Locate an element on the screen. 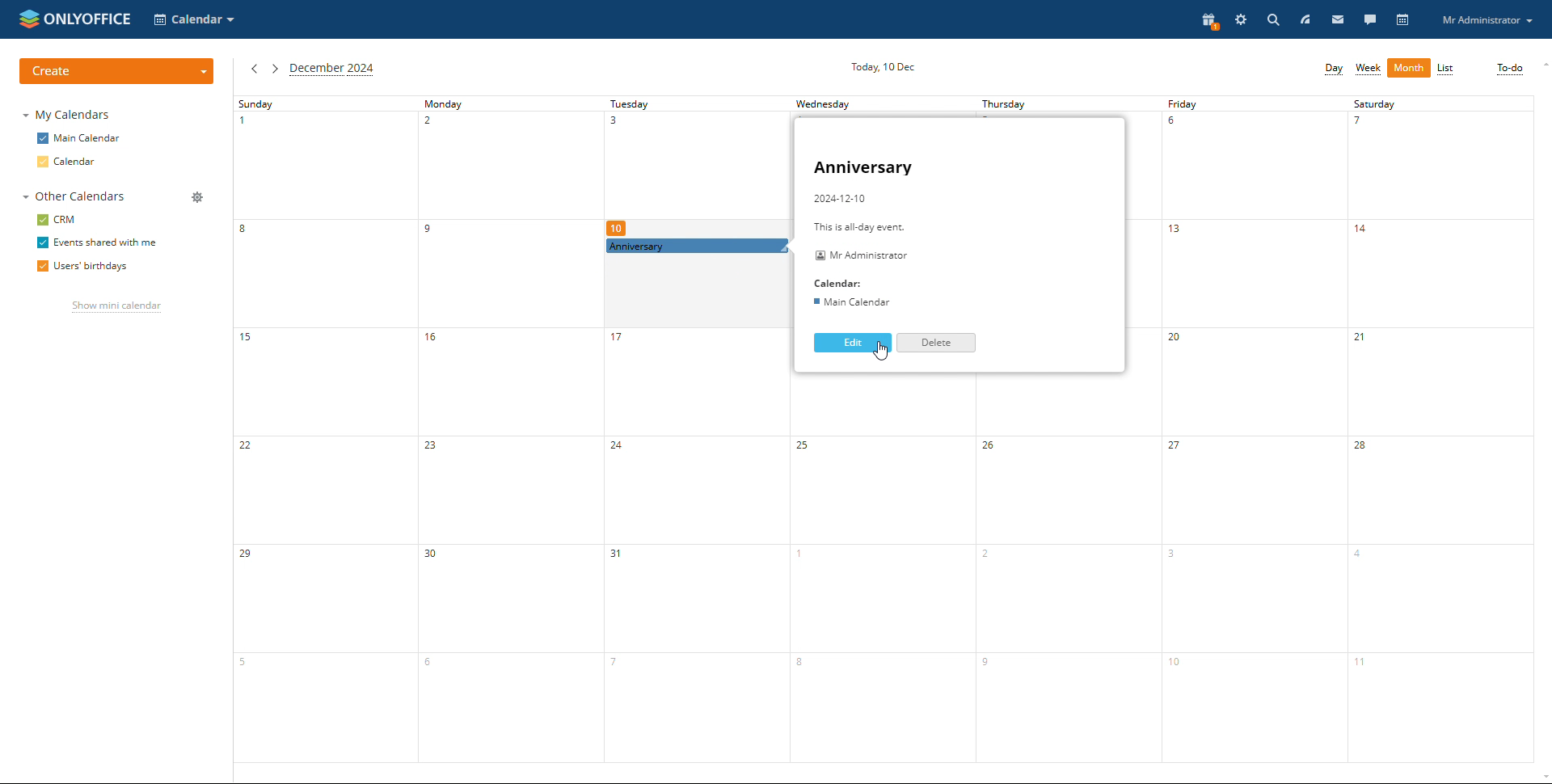 This screenshot has height=784, width=1552. users' birthdays is located at coordinates (81, 268).